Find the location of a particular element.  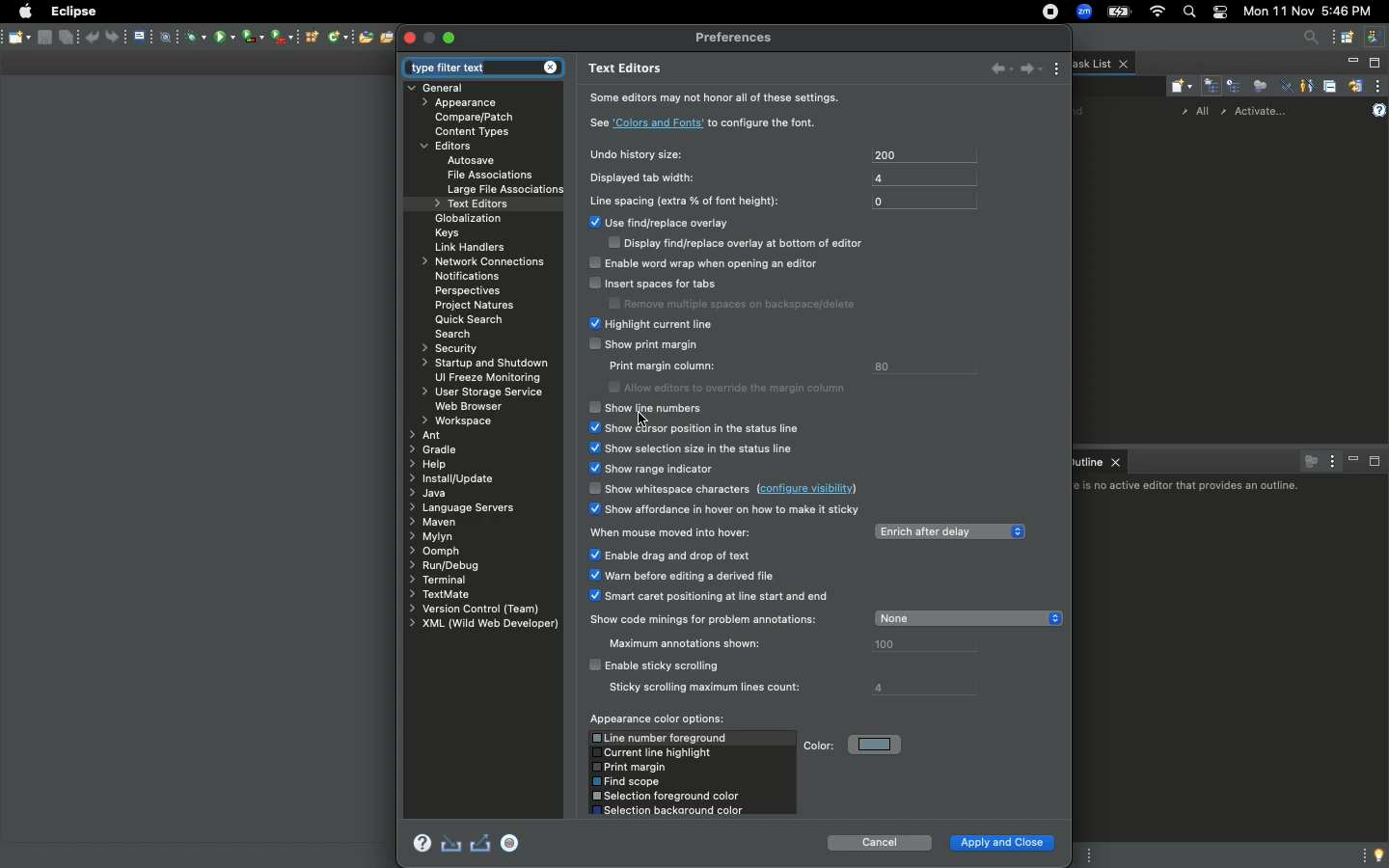

Some editors may not honor all of these settings is located at coordinates (723, 100).